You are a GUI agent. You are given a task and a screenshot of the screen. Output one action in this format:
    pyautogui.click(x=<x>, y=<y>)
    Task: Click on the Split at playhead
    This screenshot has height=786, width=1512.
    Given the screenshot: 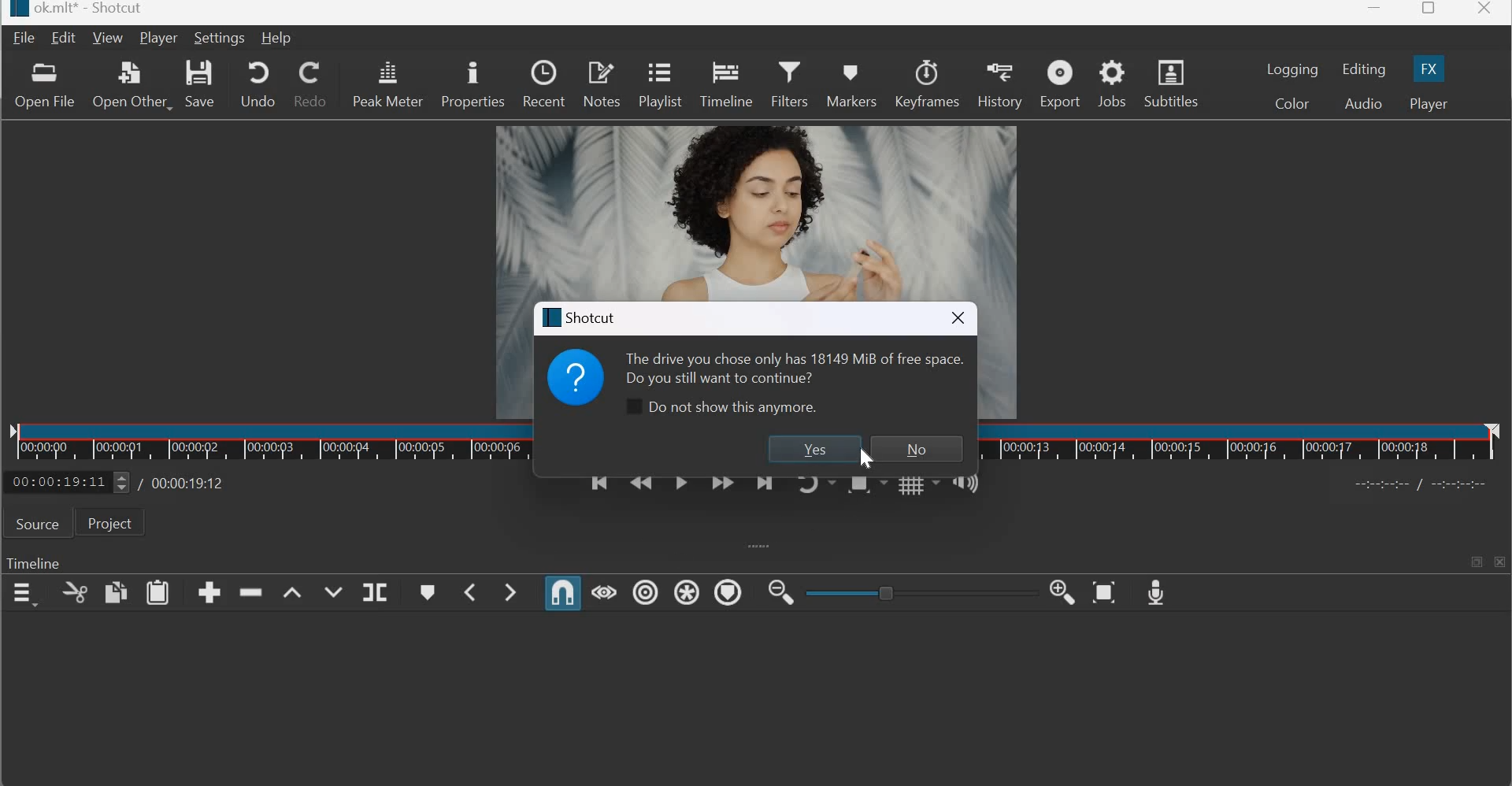 What is the action you would take?
    pyautogui.click(x=374, y=592)
    